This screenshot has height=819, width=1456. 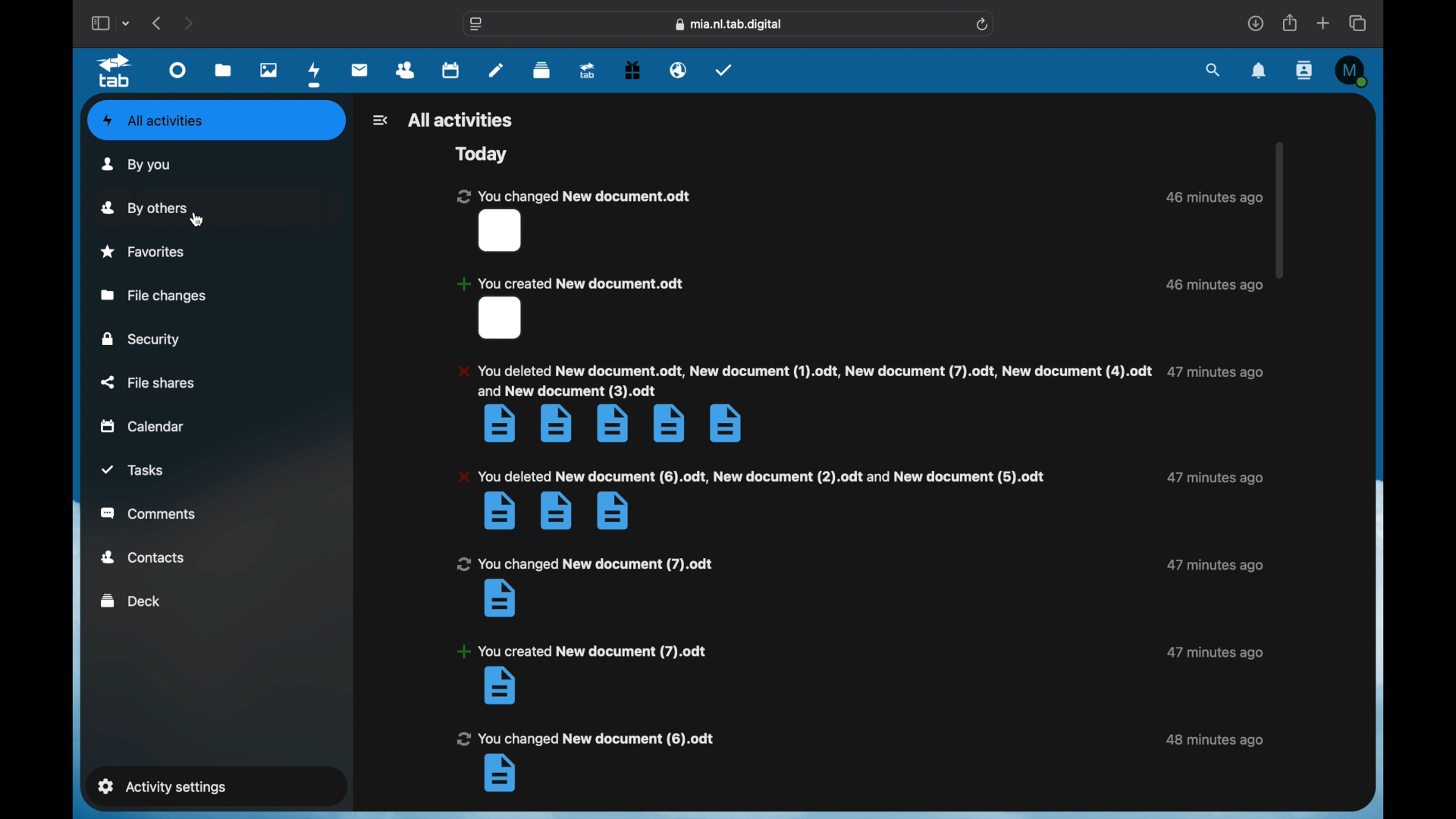 I want to click on web address, so click(x=728, y=24).